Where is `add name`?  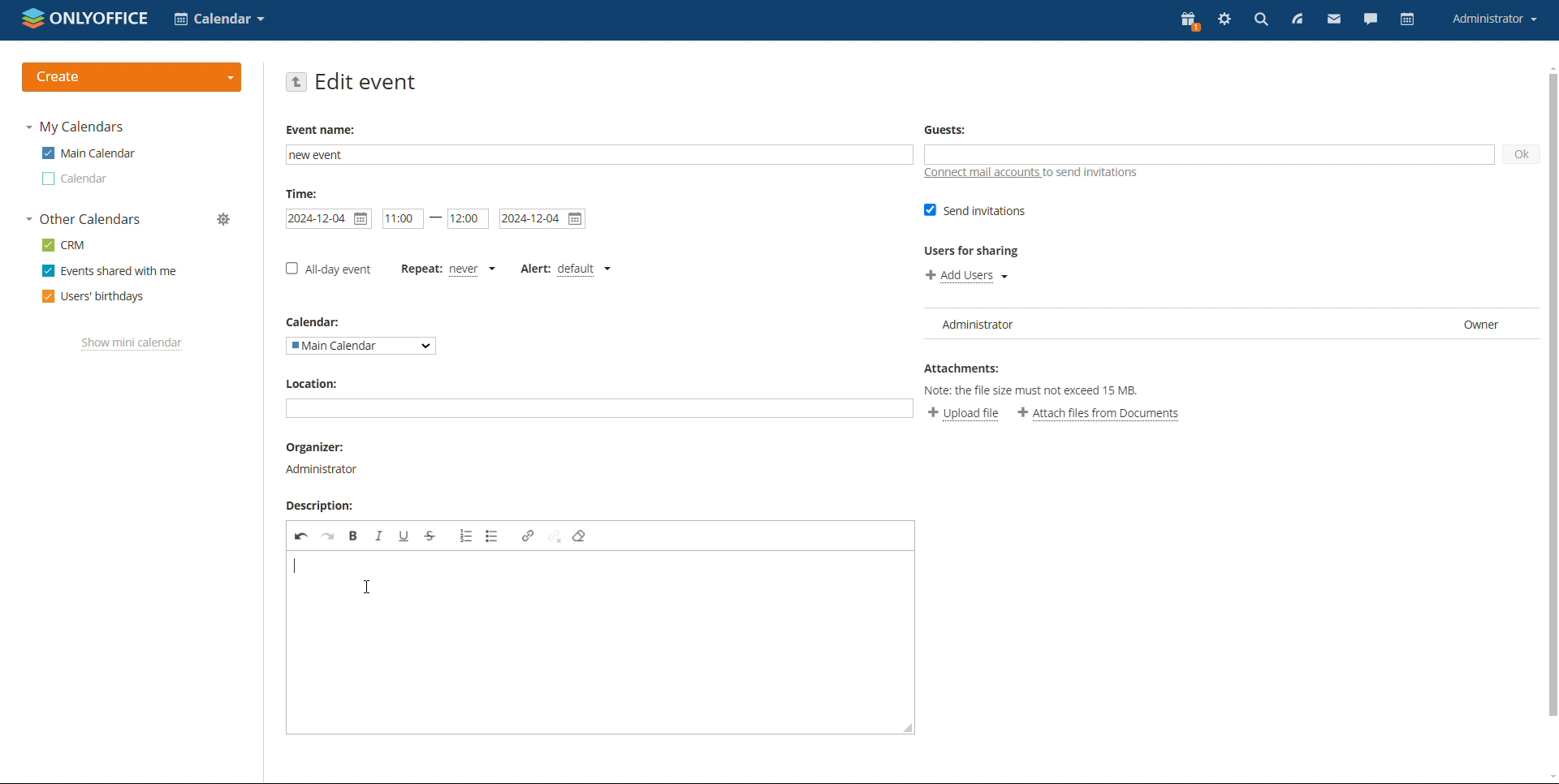 add name is located at coordinates (599, 155).